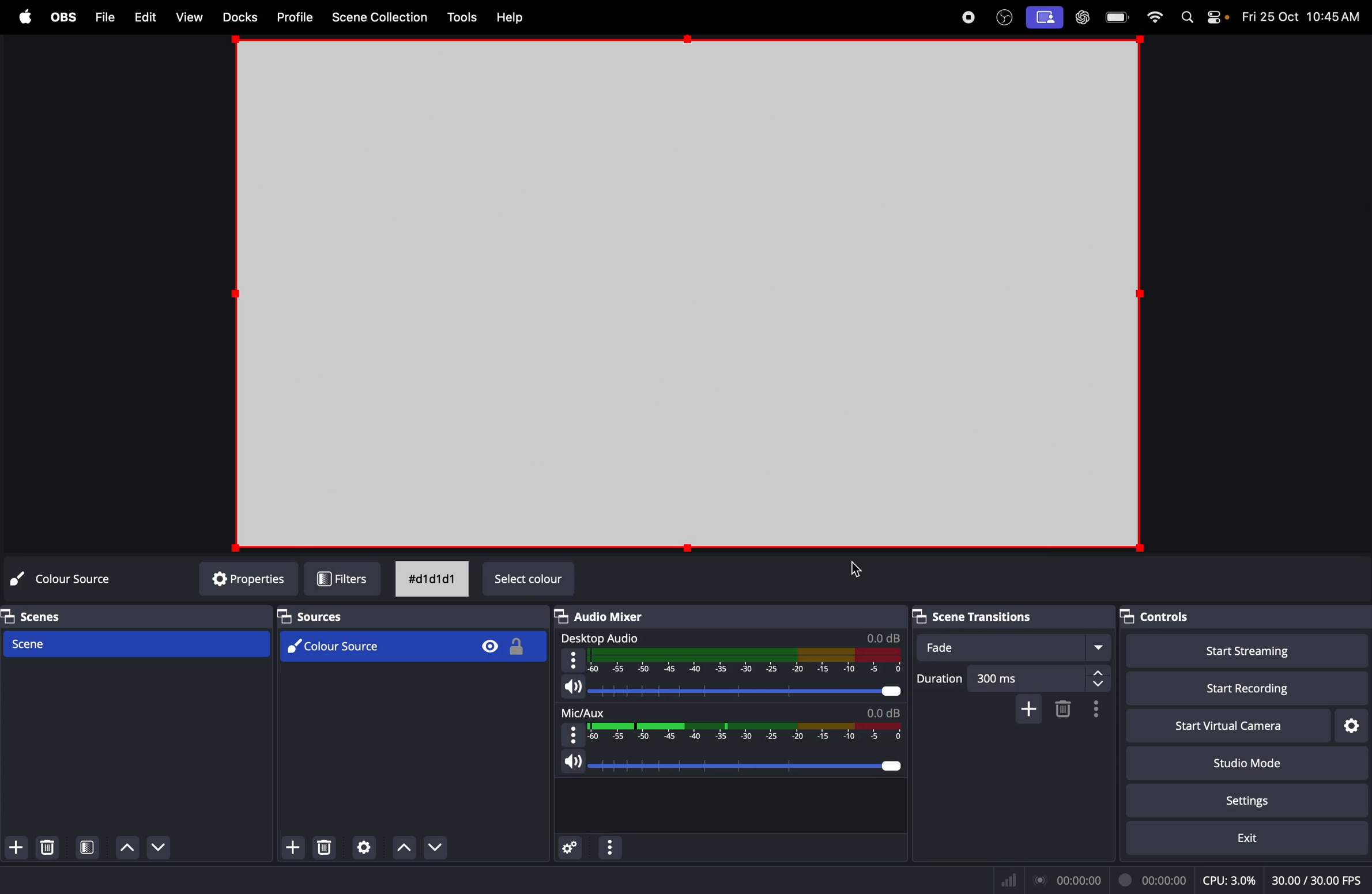  What do you see at coordinates (433, 579) in the screenshot?
I see `#d1d1d1` at bounding box center [433, 579].